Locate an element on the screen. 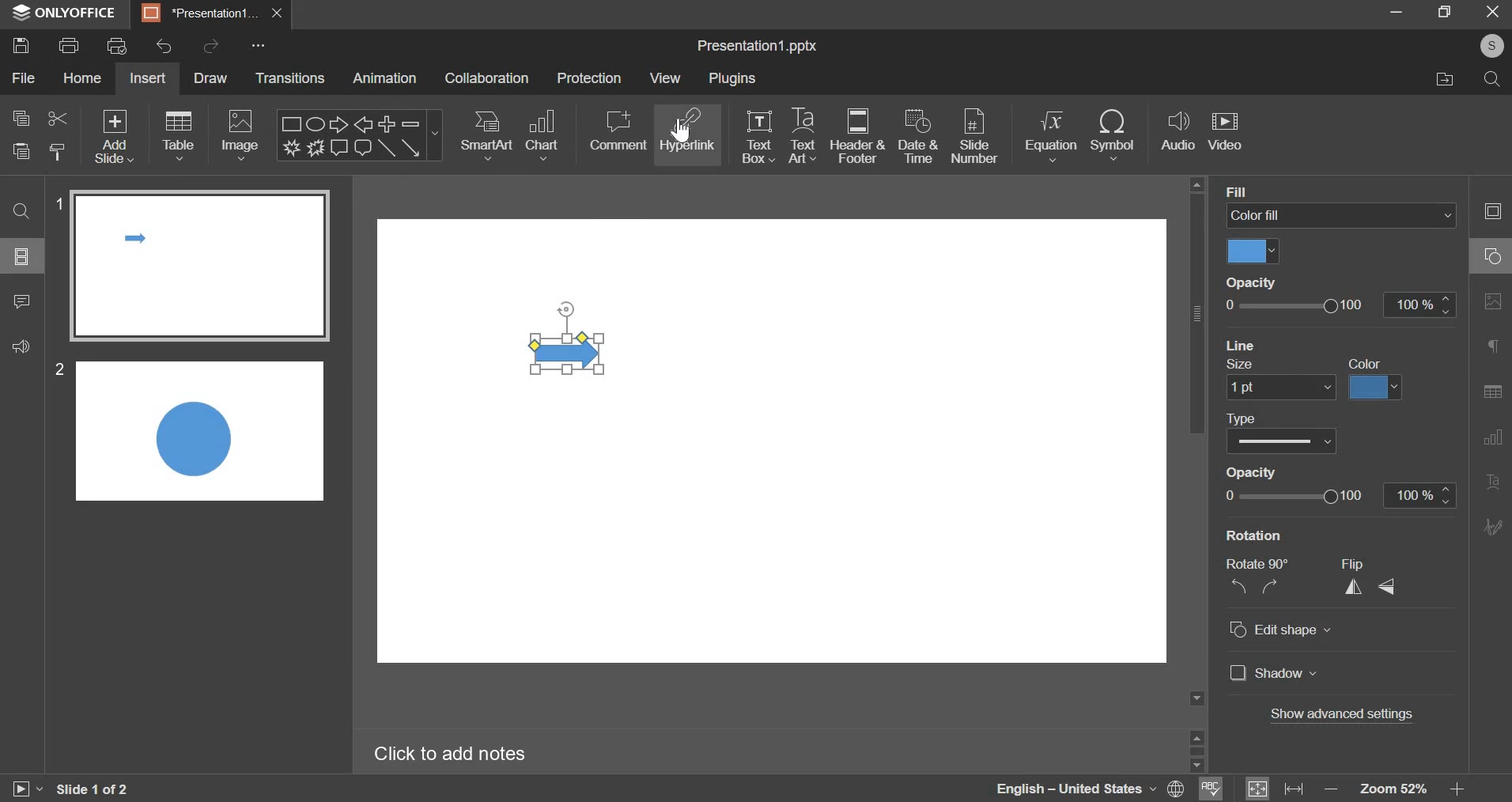 Image resolution: width=1512 pixels, height=802 pixels. edit shape is located at coordinates (1287, 630).